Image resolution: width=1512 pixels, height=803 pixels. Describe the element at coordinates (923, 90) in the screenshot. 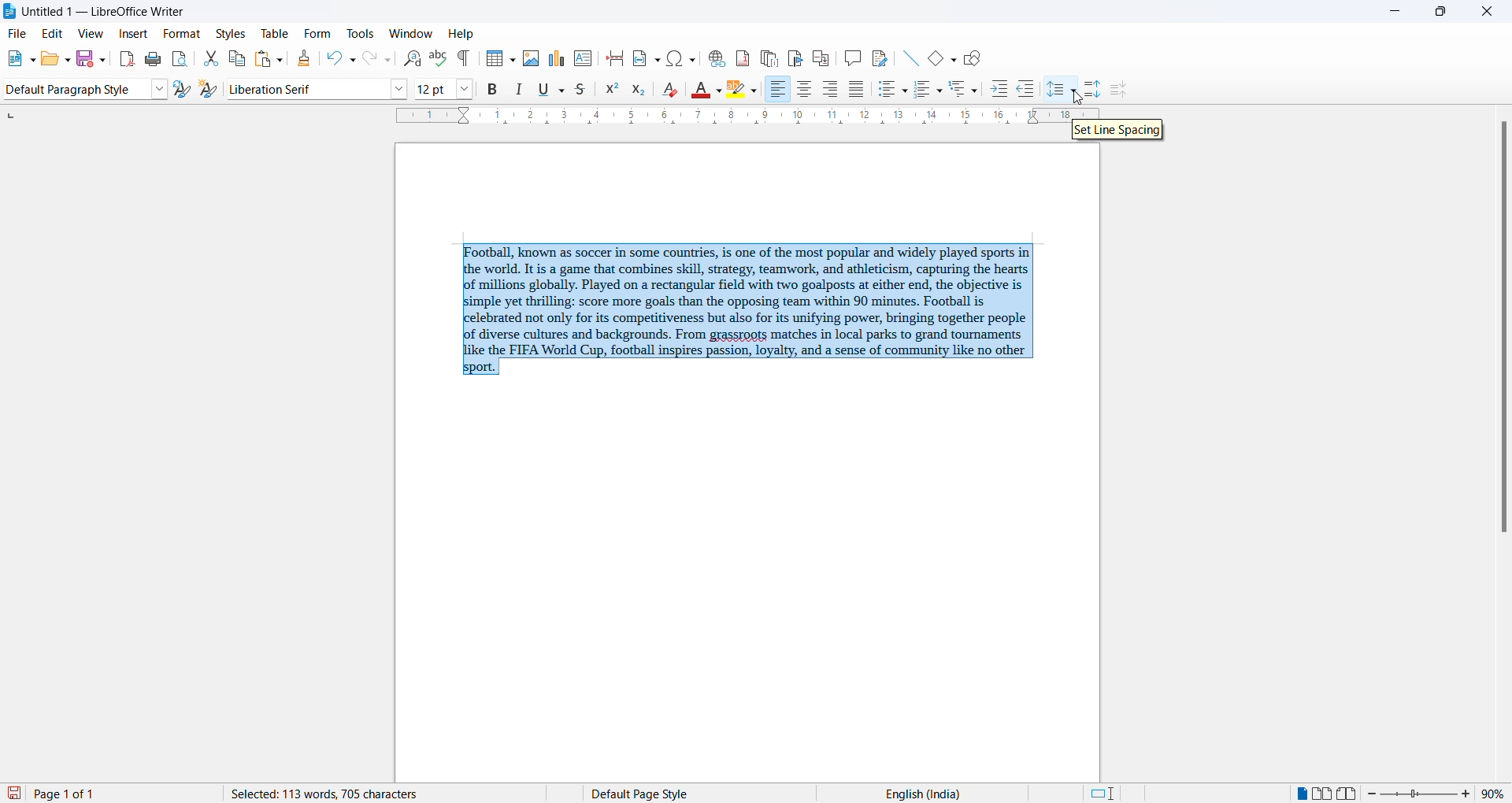

I see `toggle ordered list` at that location.